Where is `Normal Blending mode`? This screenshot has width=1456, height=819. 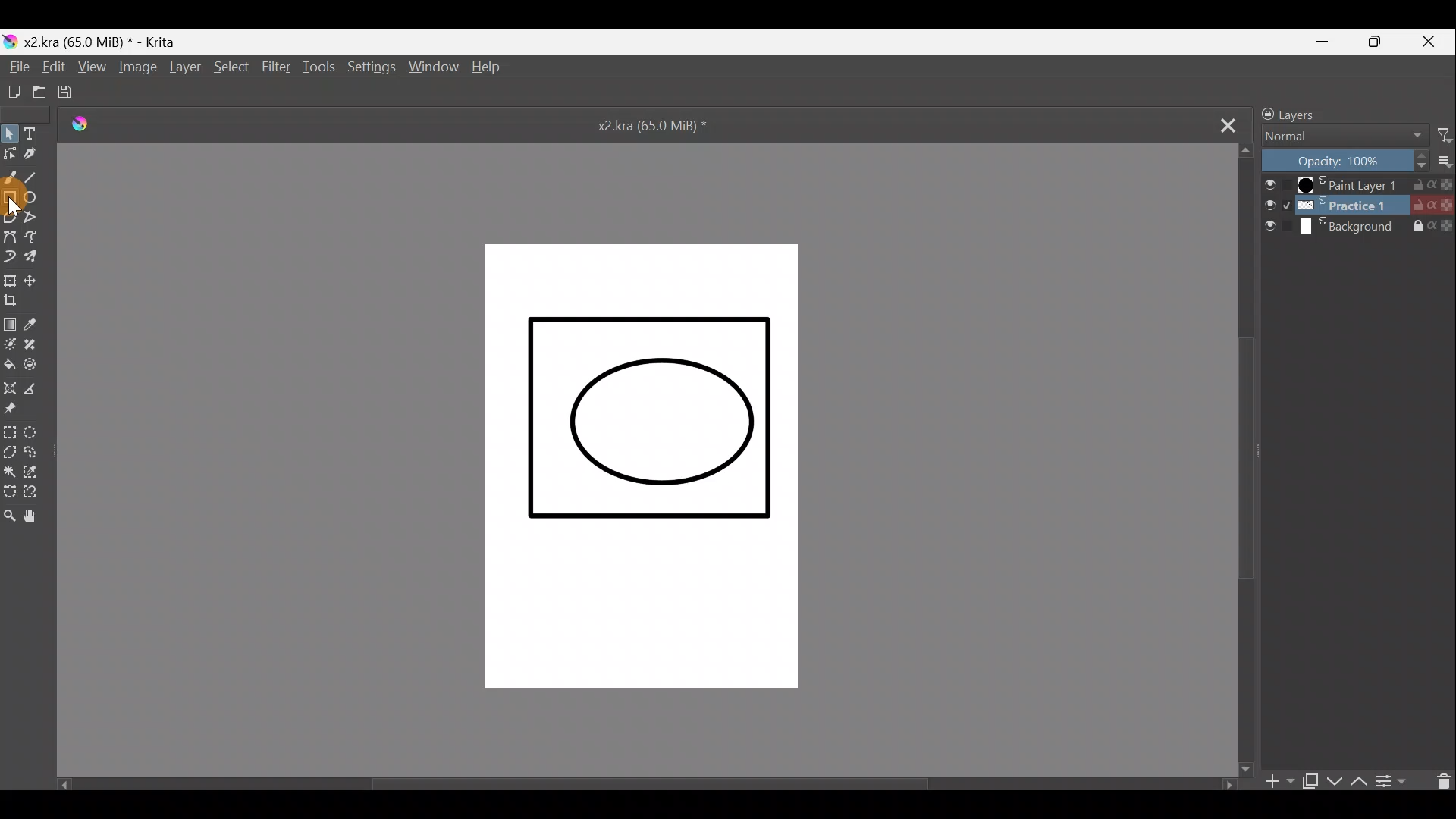
Normal Blending mode is located at coordinates (1341, 136).